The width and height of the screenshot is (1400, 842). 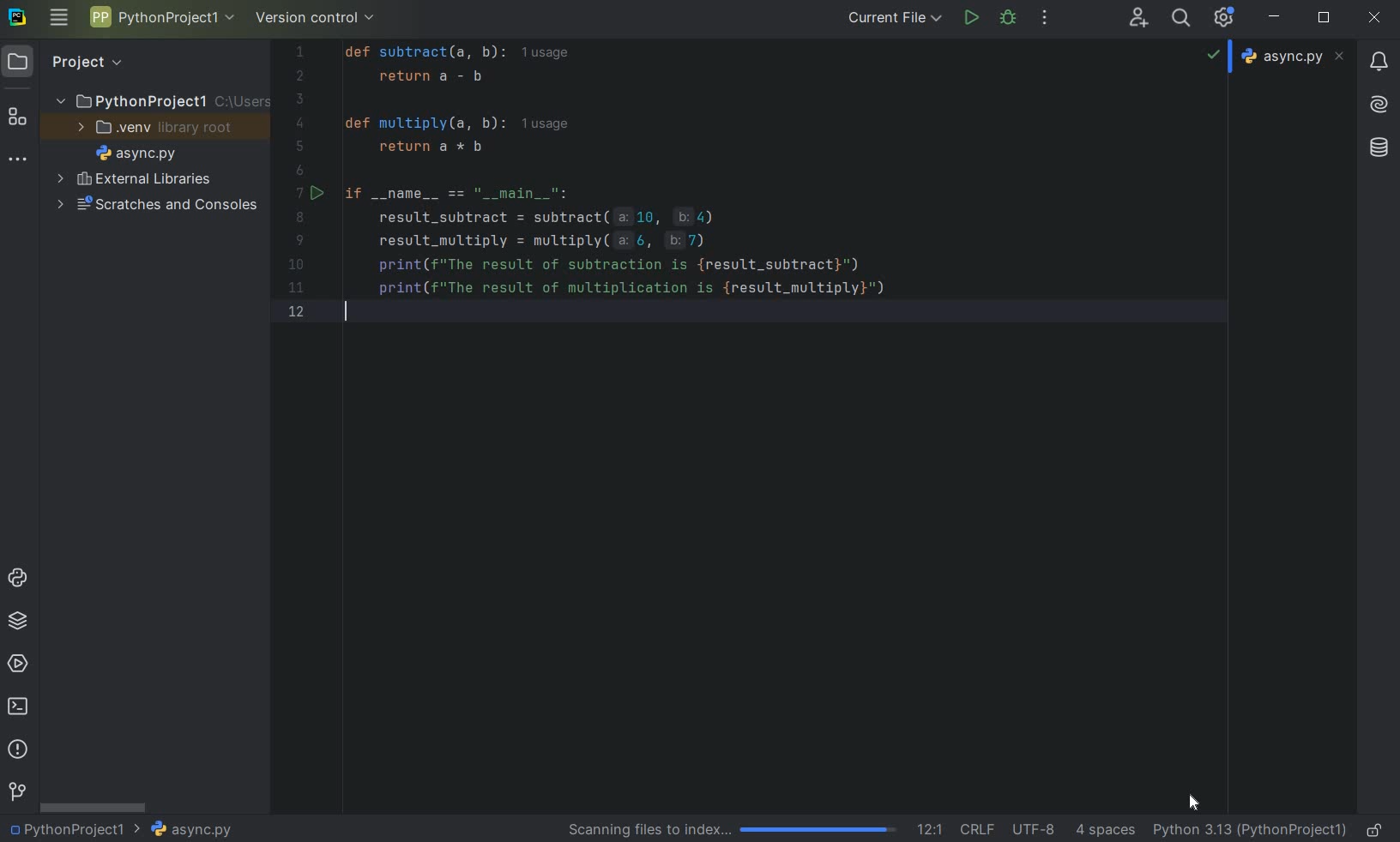 What do you see at coordinates (895, 17) in the screenshot?
I see `current file` at bounding box center [895, 17].